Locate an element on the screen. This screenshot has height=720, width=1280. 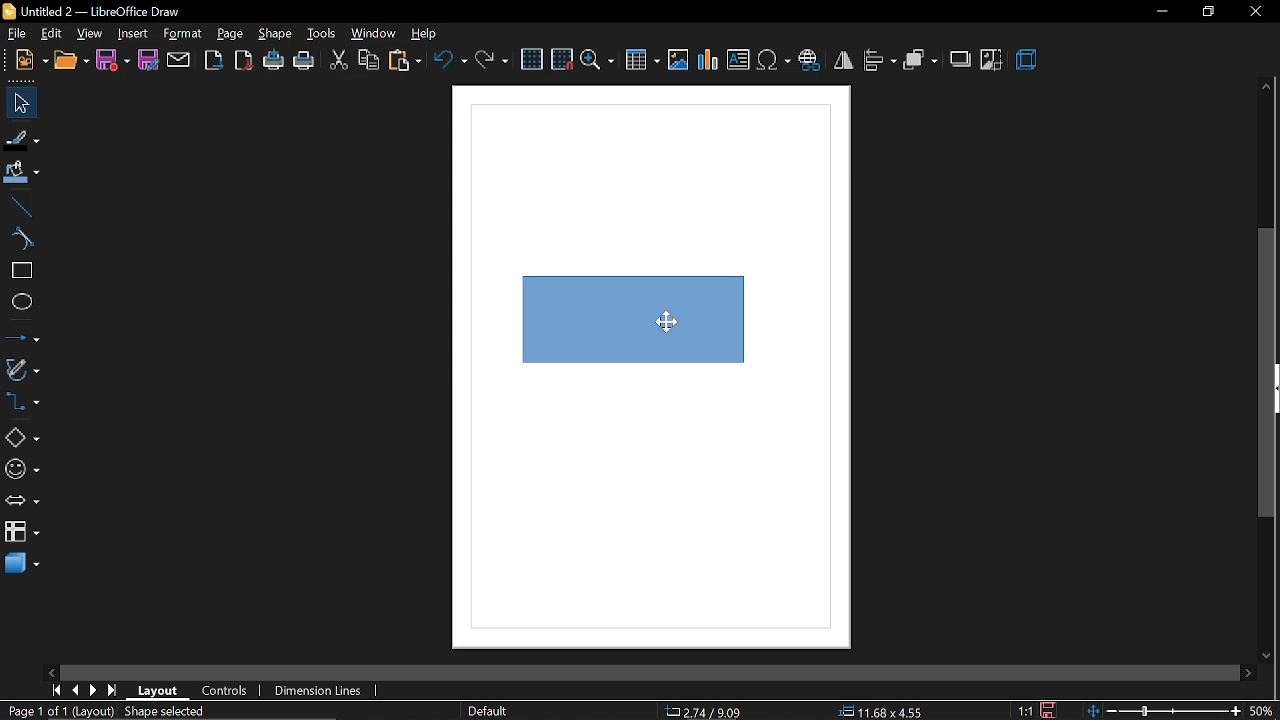
3d shapes is located at coordinates (22, 565).